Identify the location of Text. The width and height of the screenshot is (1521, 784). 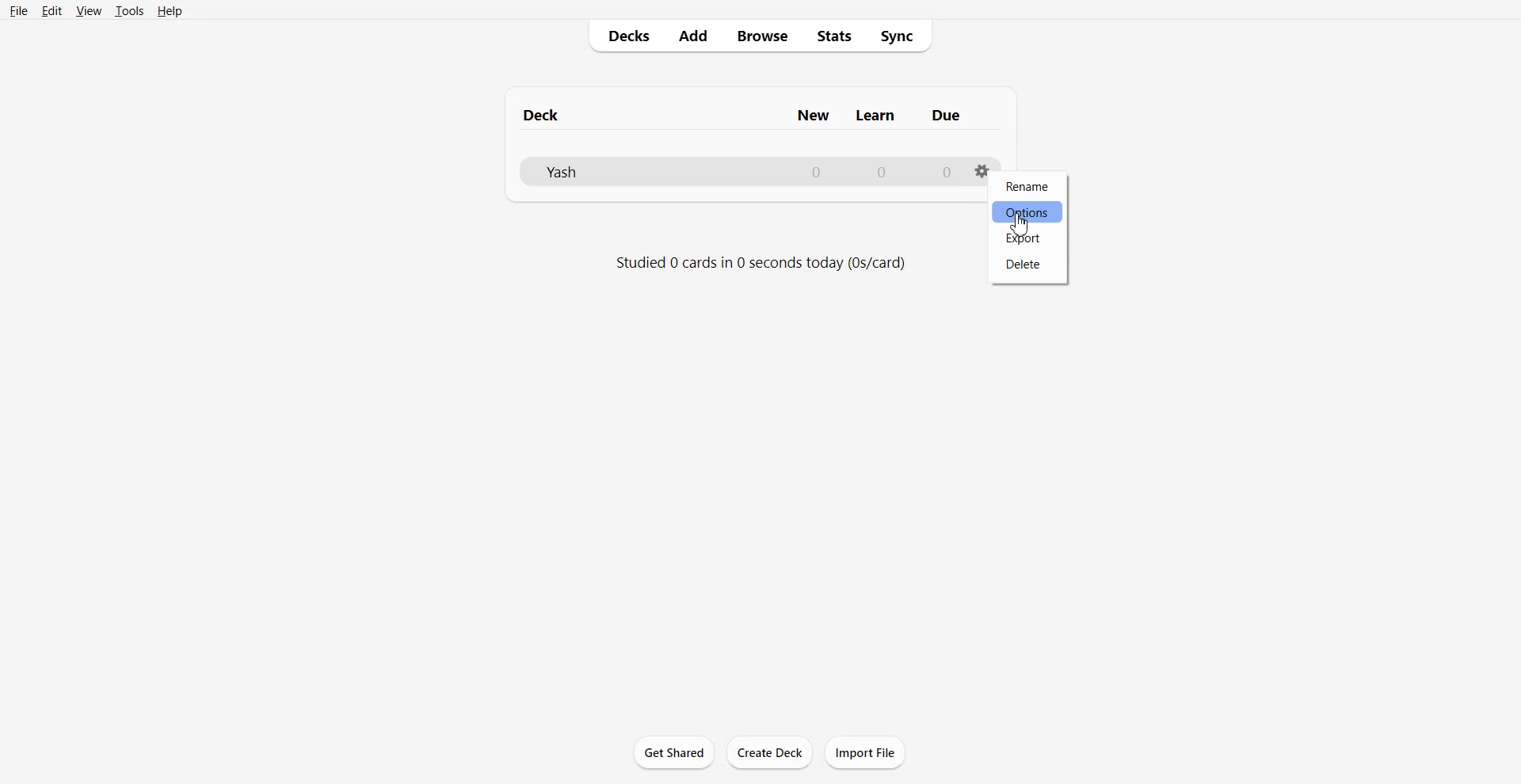
(743, 115).